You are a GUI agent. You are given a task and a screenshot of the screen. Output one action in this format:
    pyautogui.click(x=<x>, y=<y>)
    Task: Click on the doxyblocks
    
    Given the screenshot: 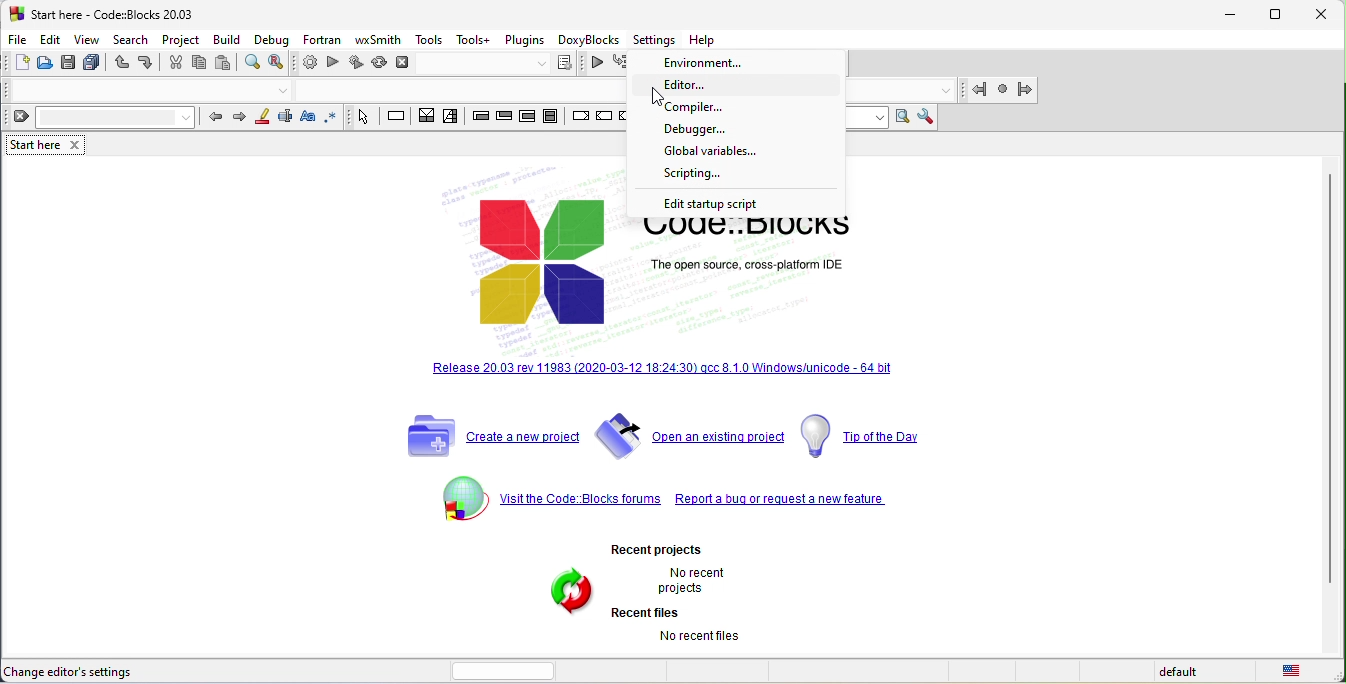 What is the action you would take?
    pyautogui.click(x=588, y=40)
    